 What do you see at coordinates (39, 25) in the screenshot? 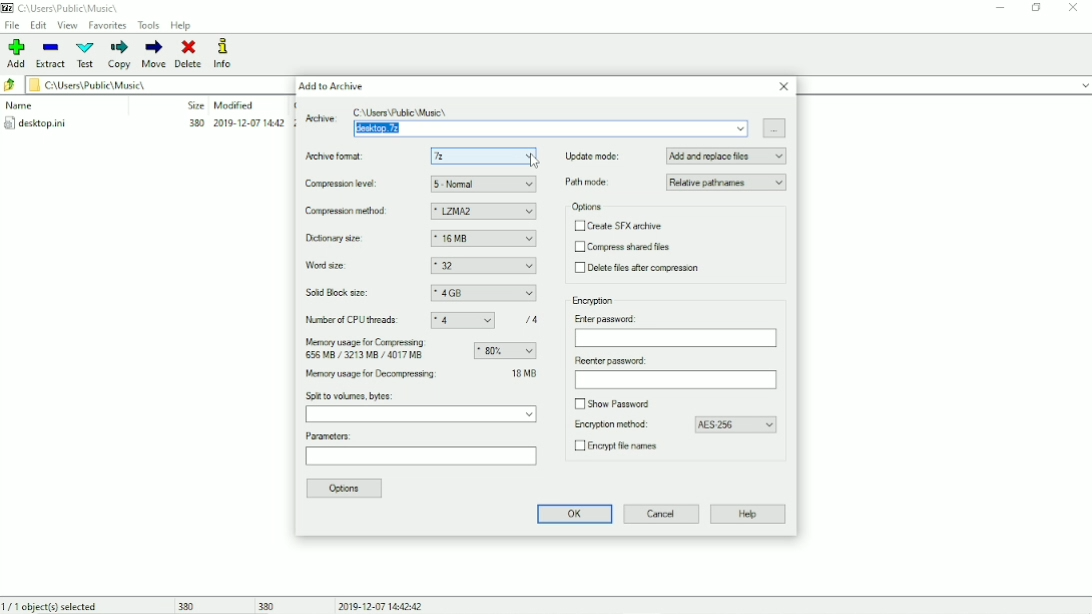
I see `Edit` at bounding box center [39, 25].